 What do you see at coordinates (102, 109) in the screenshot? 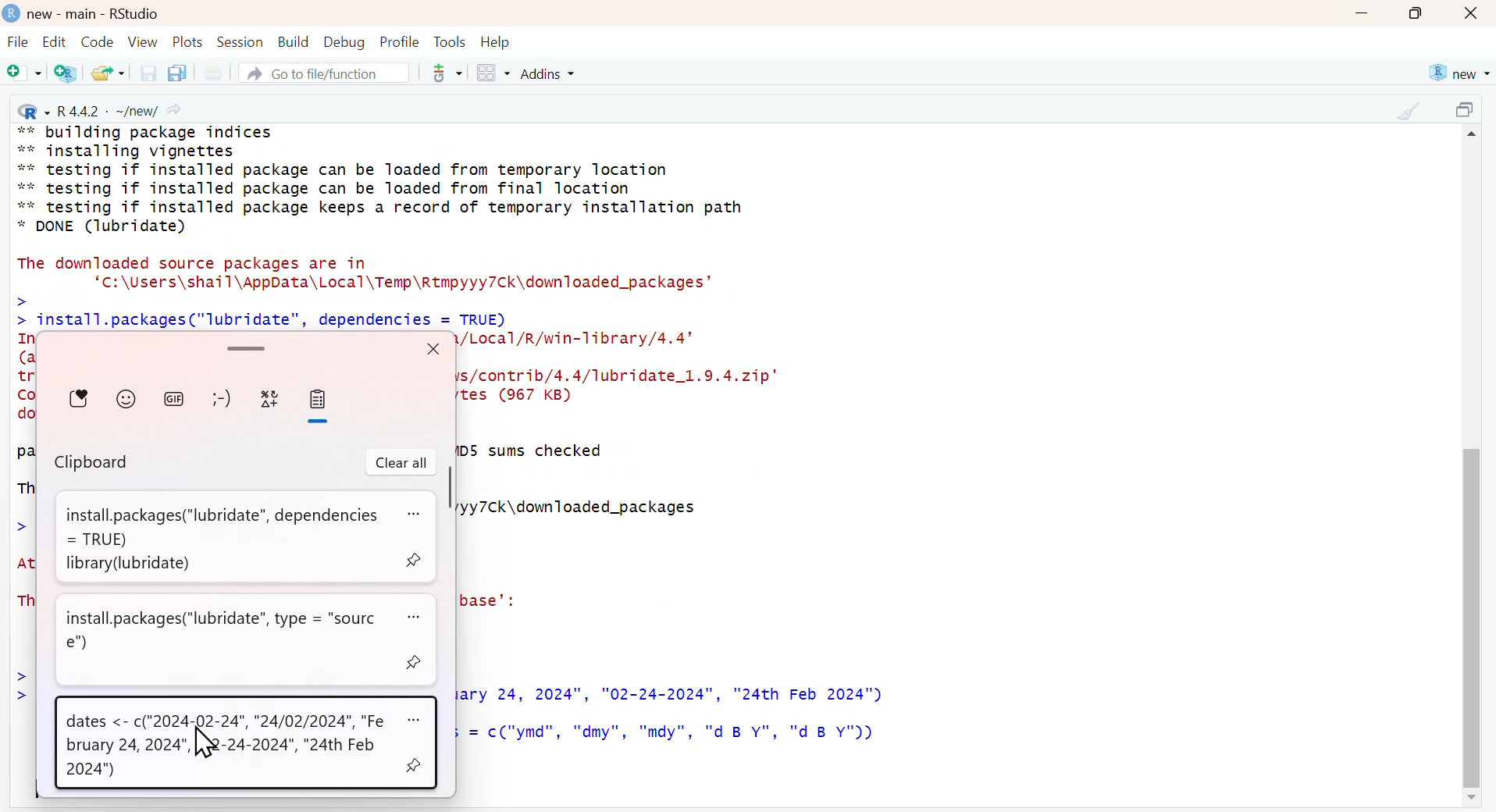
I see `R 4.4.2 . ~/new/` at bounding box center [102, 109].